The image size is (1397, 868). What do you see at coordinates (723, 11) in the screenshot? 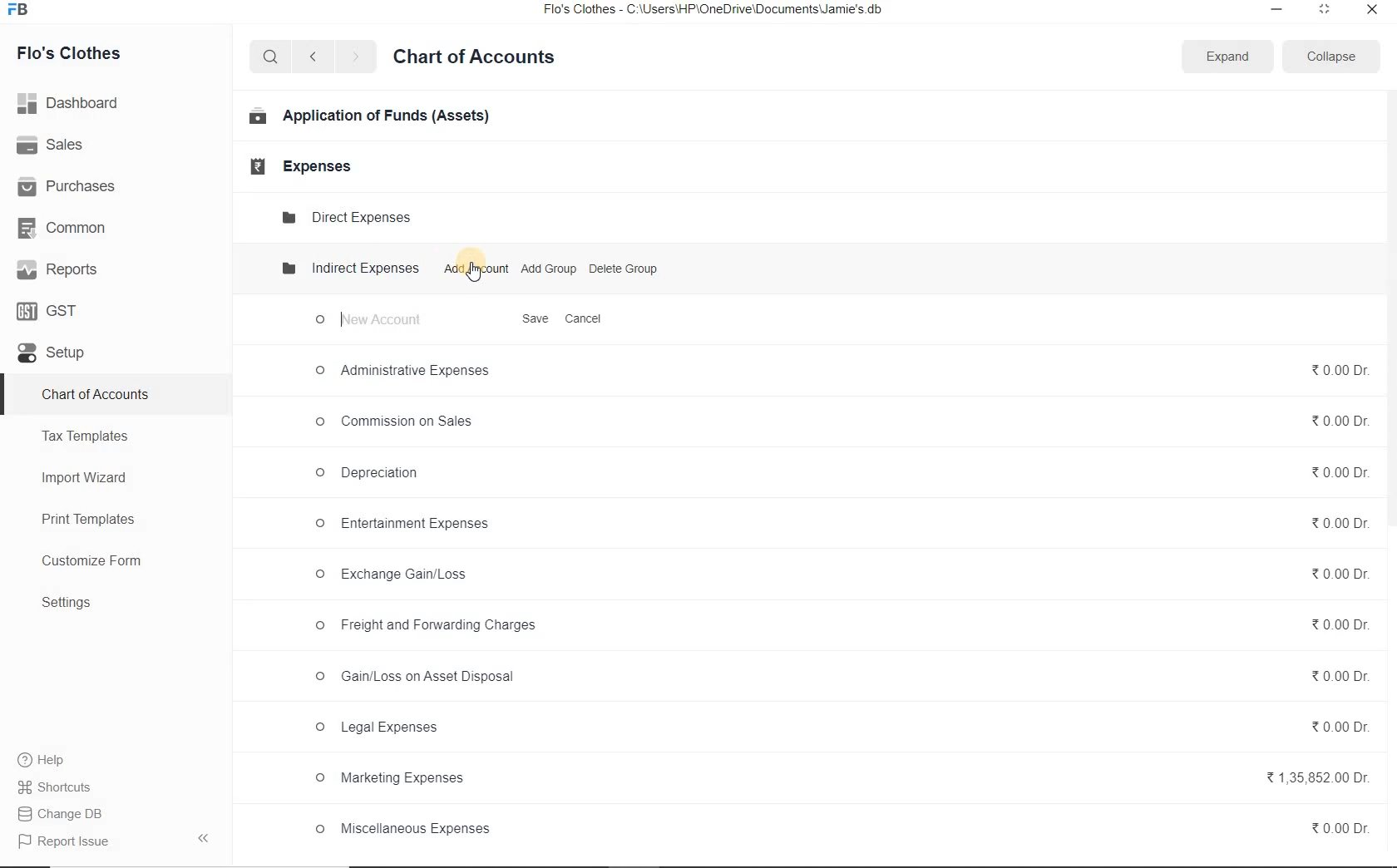
I see `Flo's Clothes - C:\Users\HP\OneDrive\Documents\Jamie's db` at bounding box center [723, 11].